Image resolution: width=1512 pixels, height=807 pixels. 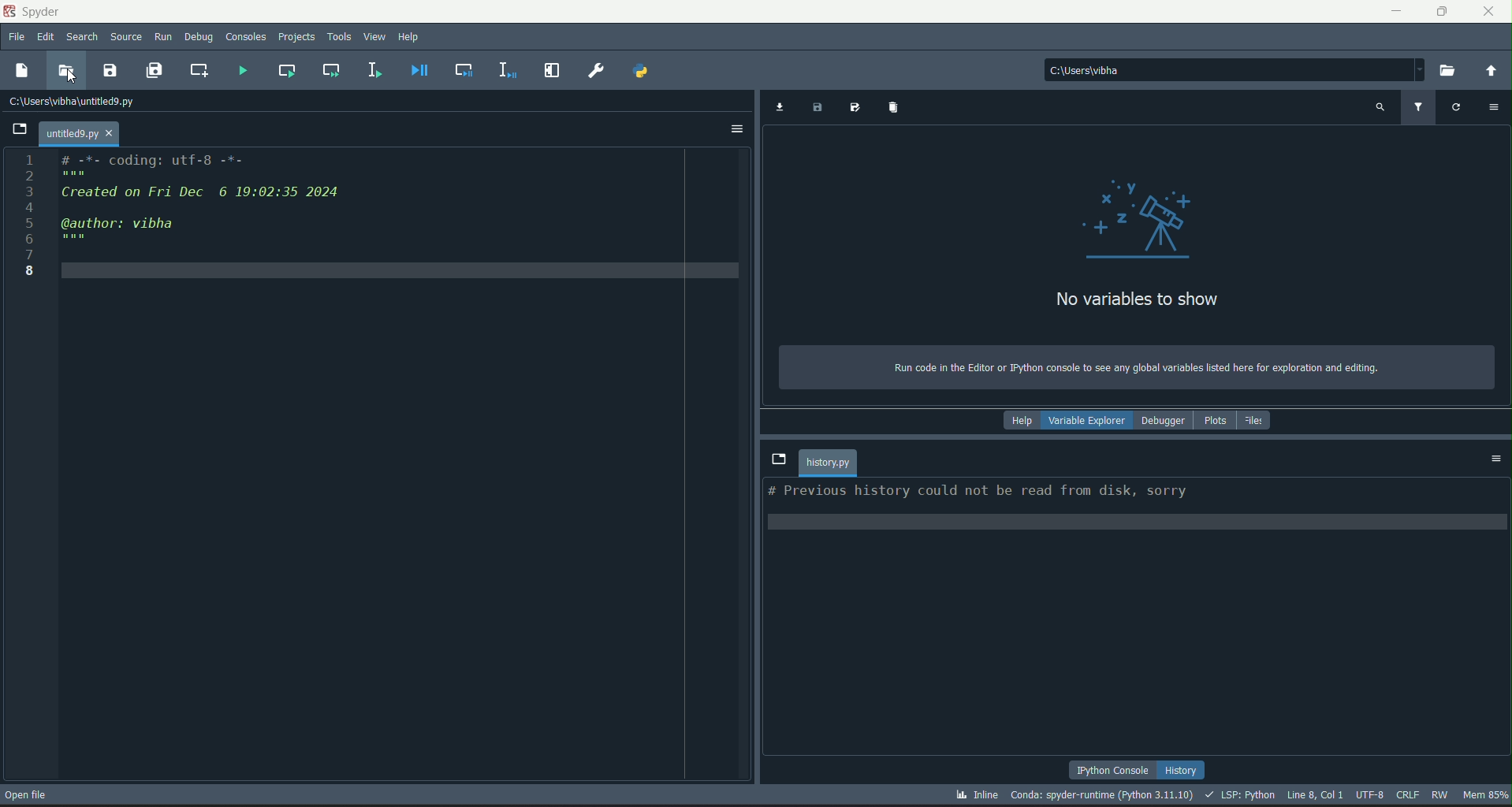 What do you see at coordinates (895, 109) in the screenshot?
I see `remove variables` at bounding box center [895, 109].